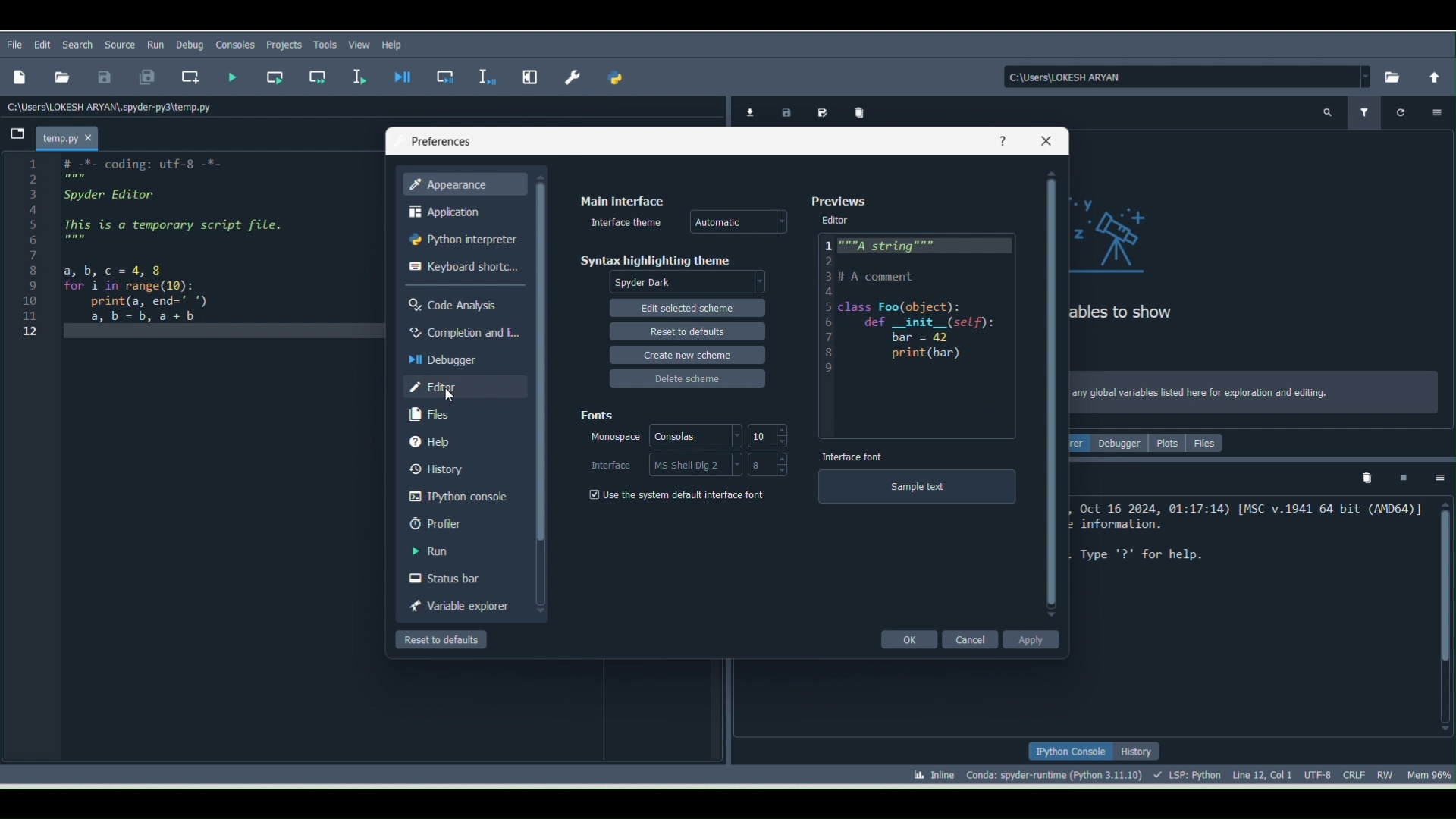  I want to click on Change to parent directory, so click(1435, 76).